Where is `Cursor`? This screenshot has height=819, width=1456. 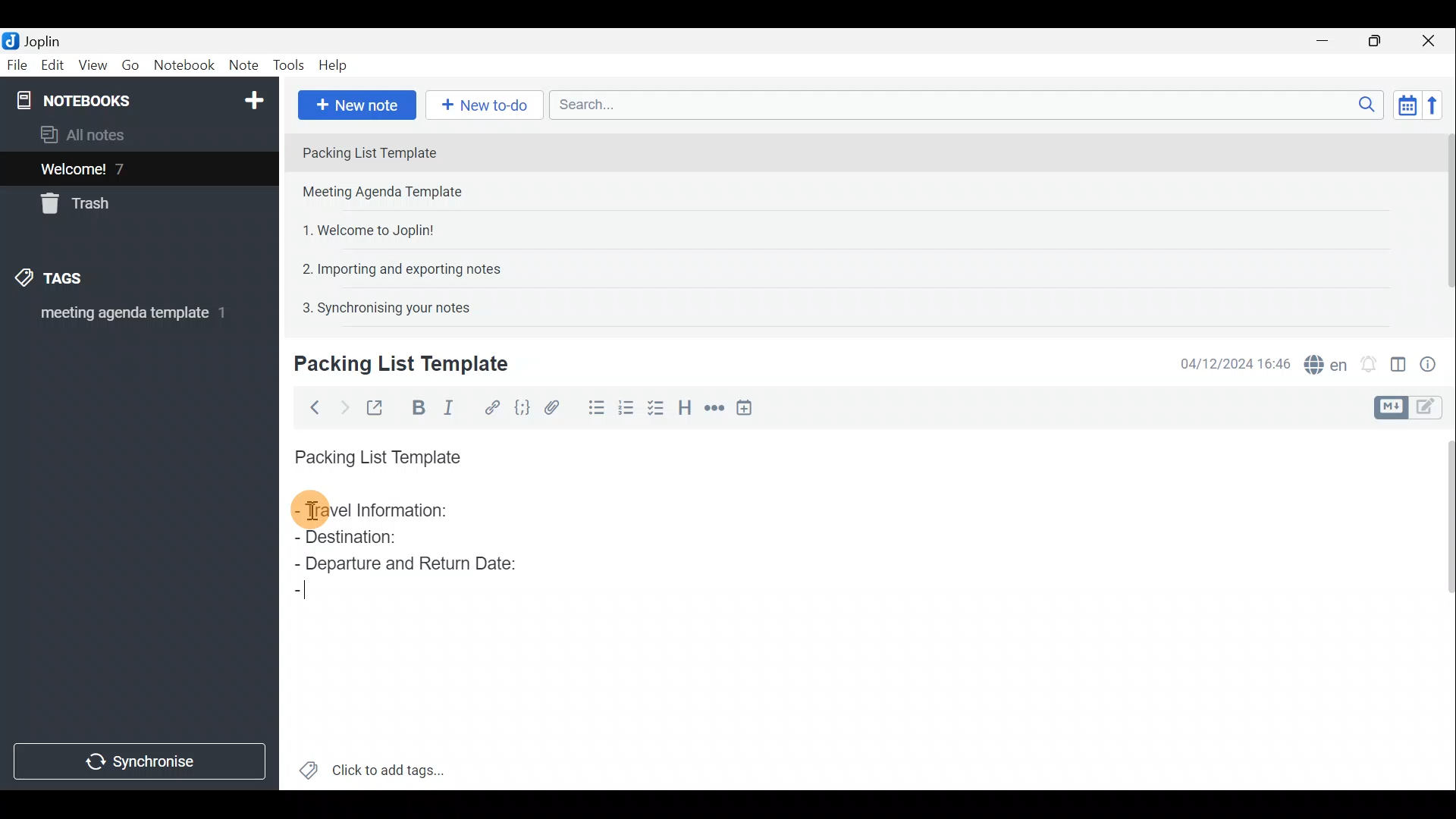 Cursor is located at coordinates (303, 592).